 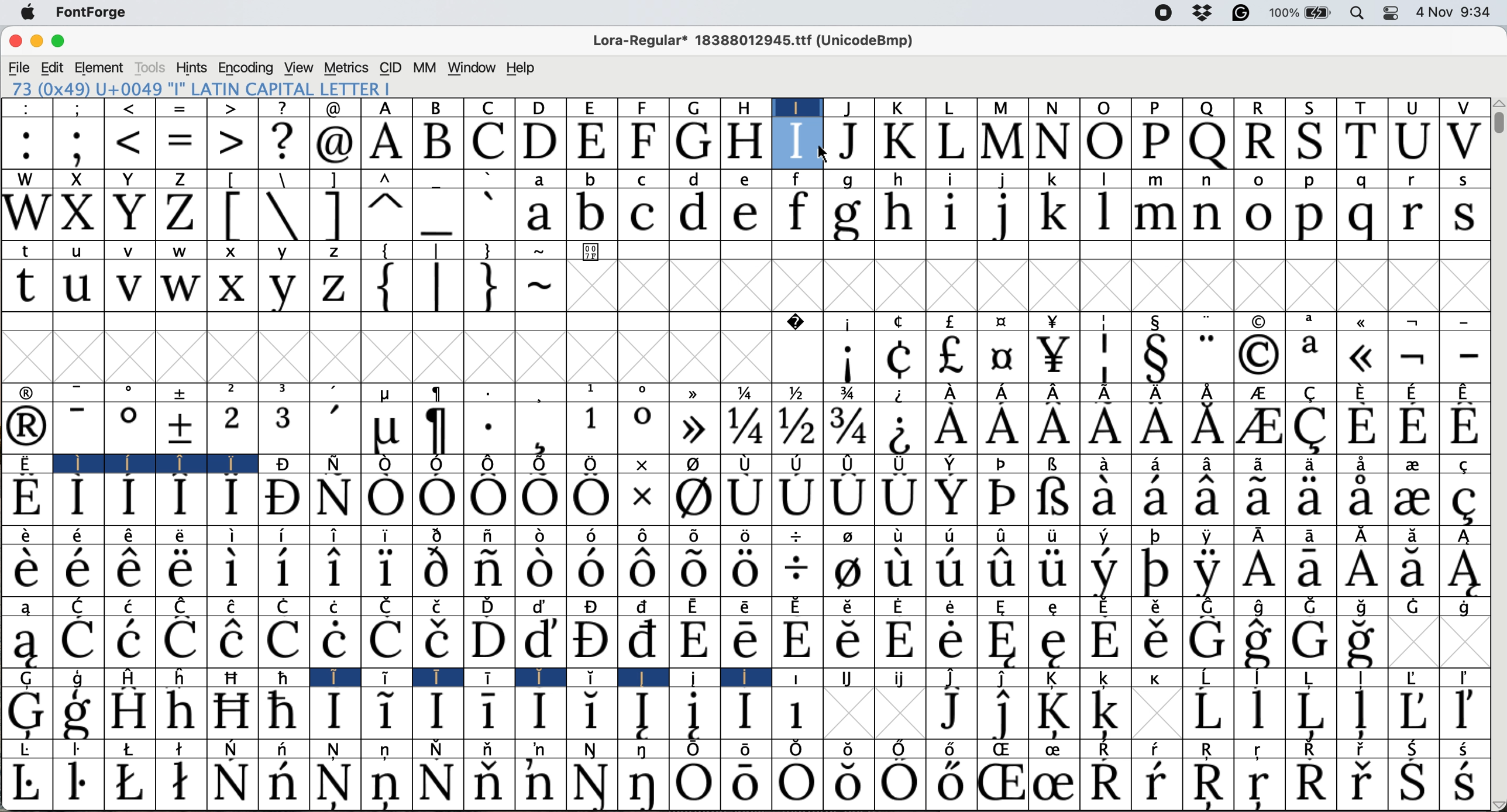 I want to click on Symbol, so click(x=1361, y=713).